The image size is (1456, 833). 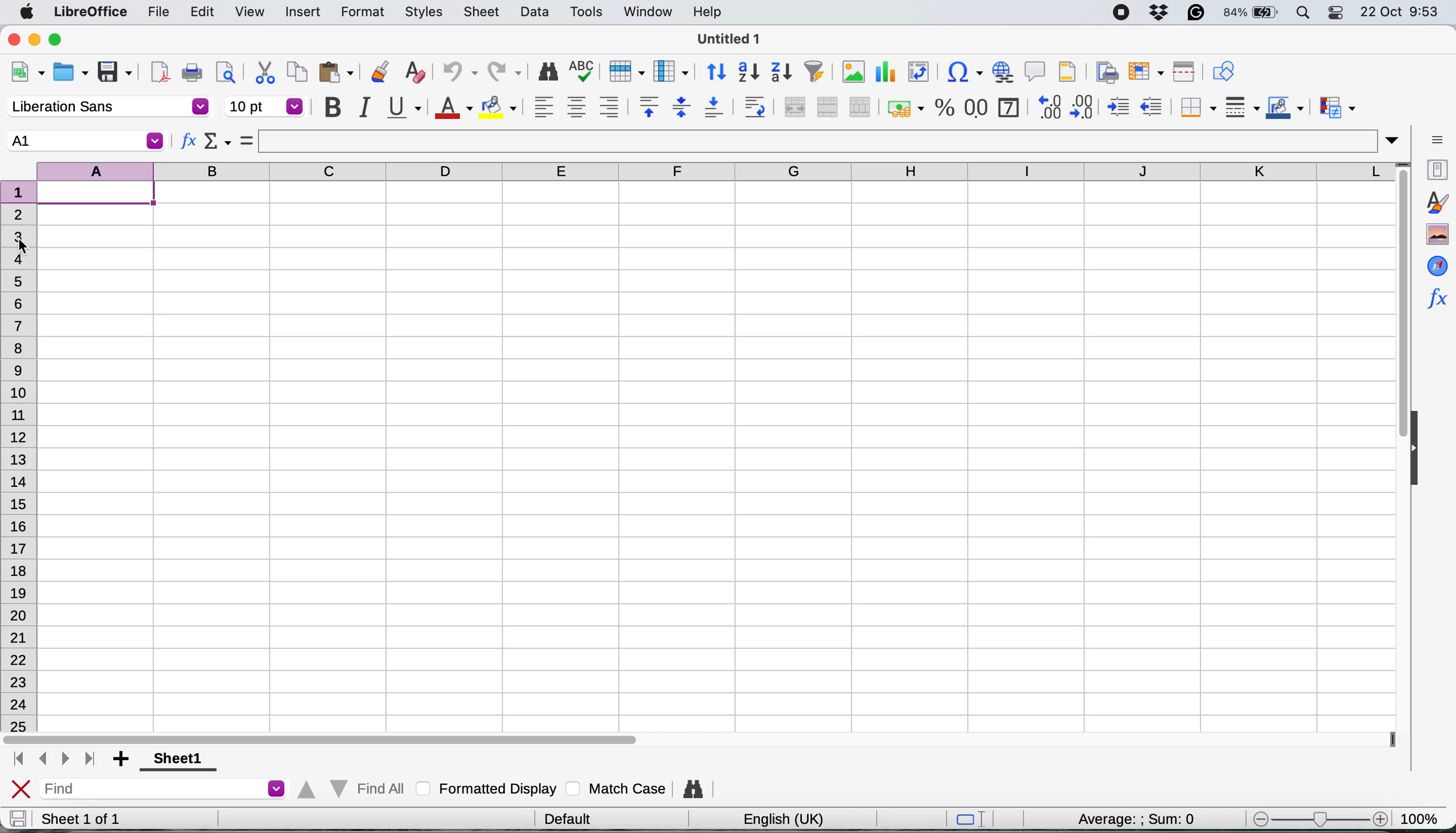 What do you see at coordinates (710, 11) in the screenshot?
I see `help` at bounding box center [710, 11].